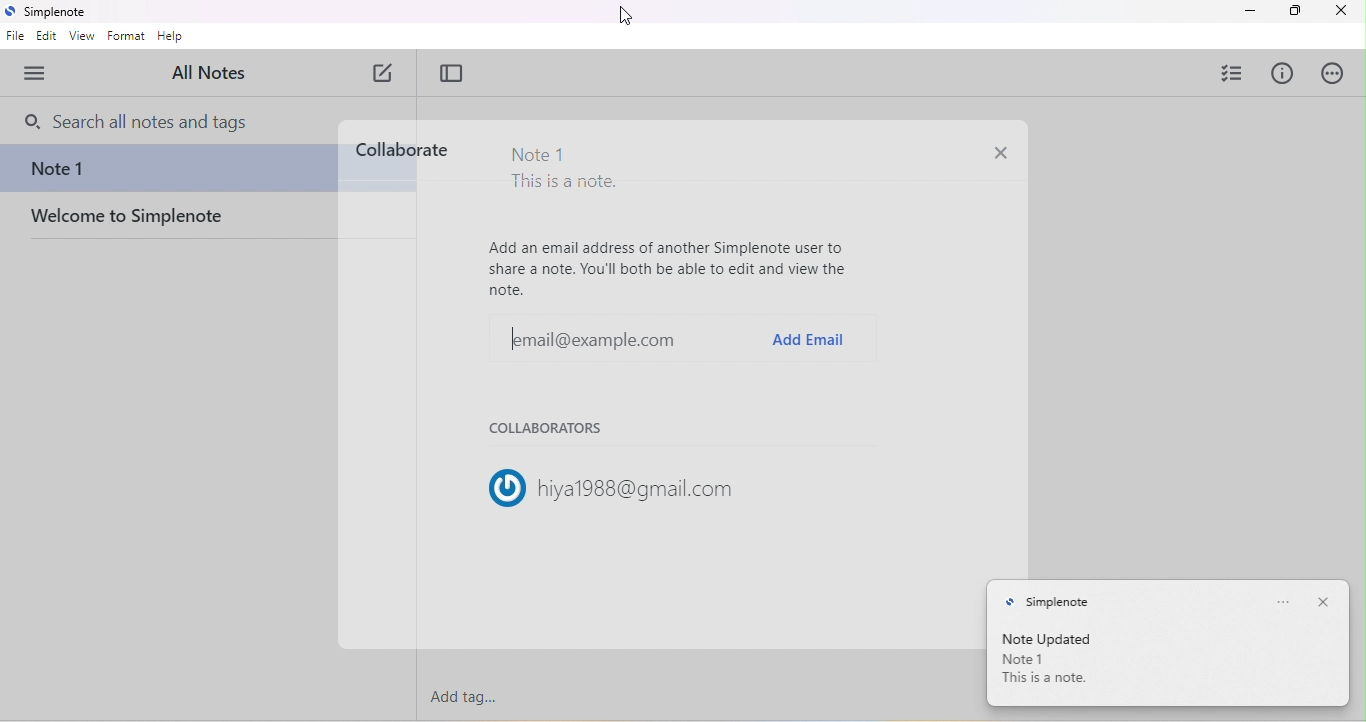 The width and height of the screenshot is (1366, 722). I want to click on close, so click(1324, 599).